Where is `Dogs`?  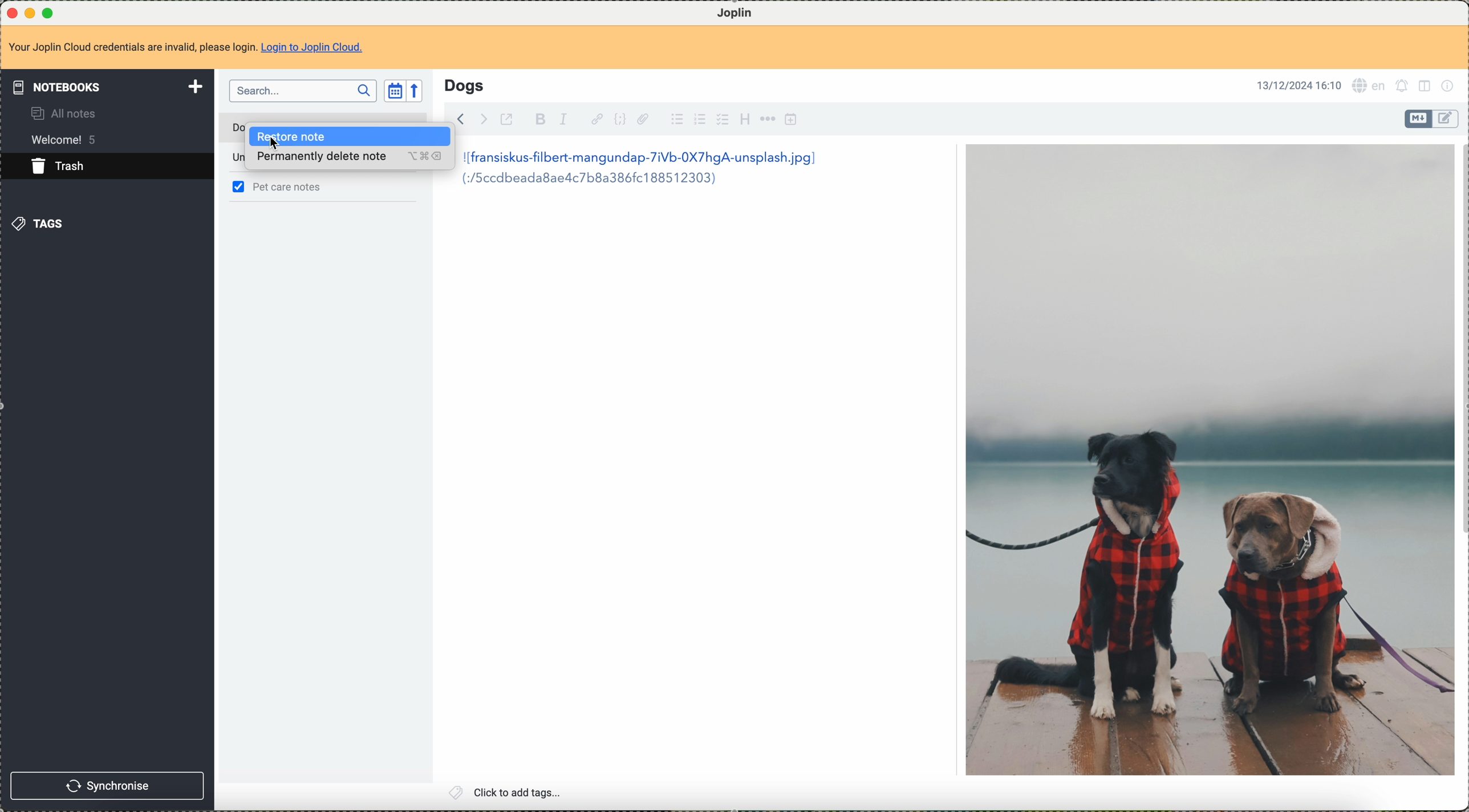
Dogs is located at coordinates (464, 84).